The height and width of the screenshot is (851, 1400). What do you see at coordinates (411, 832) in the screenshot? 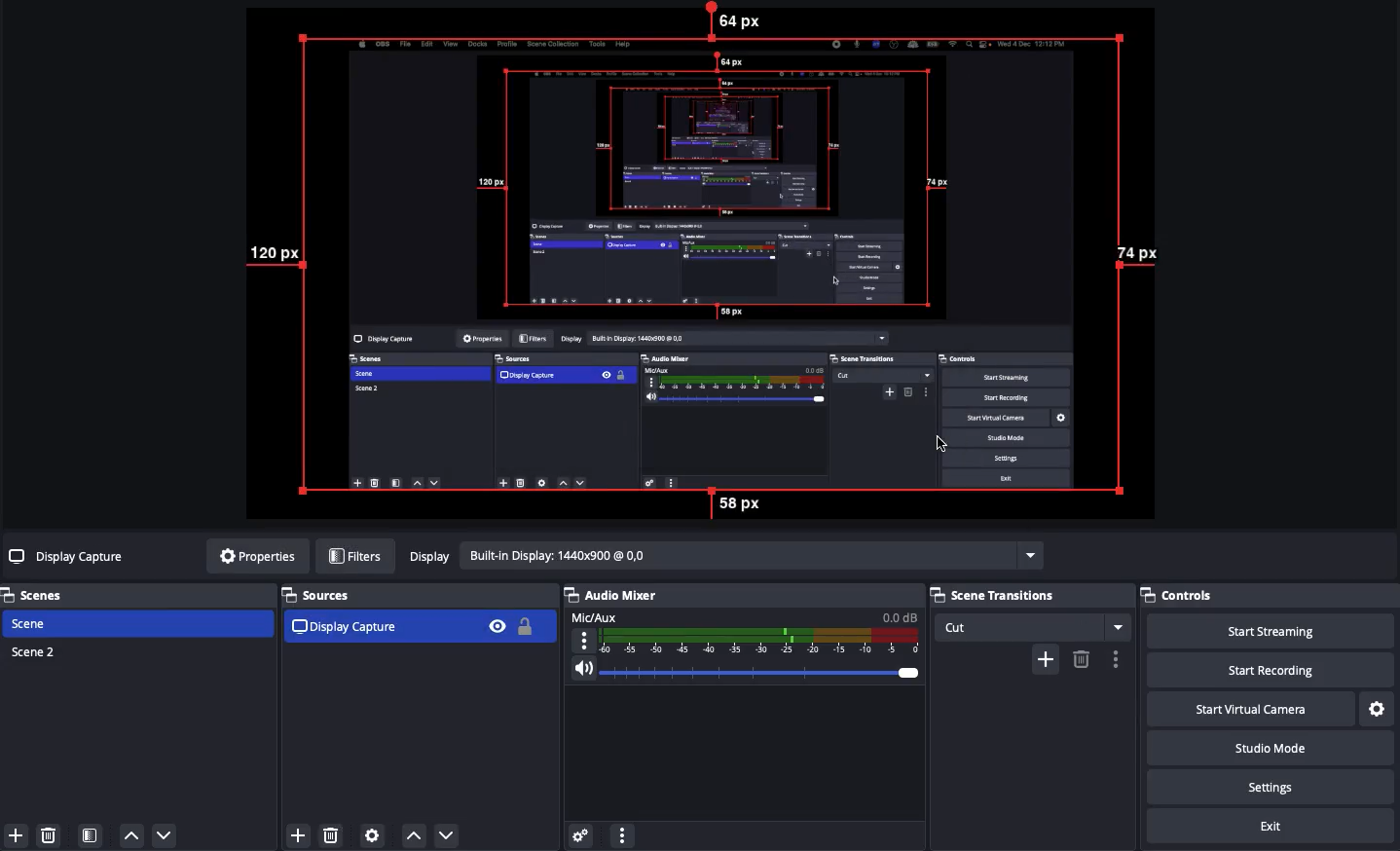
I see `Up` at bounding box center [411, 832].